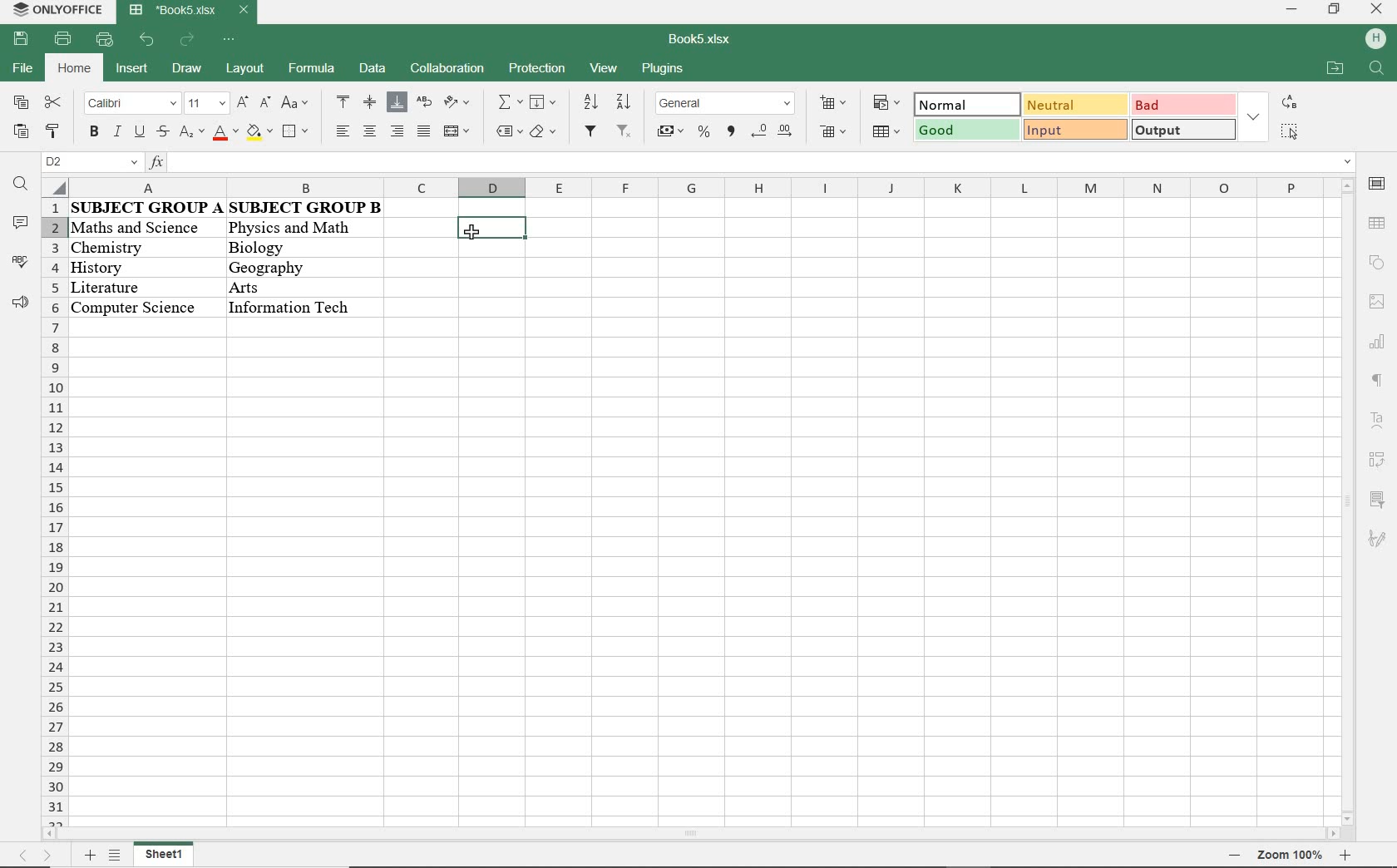 The height and width of the screenshot is (868, 1397). Describe the element at coordinates (1376, 10) in the screenshot. I see `close` at that location.